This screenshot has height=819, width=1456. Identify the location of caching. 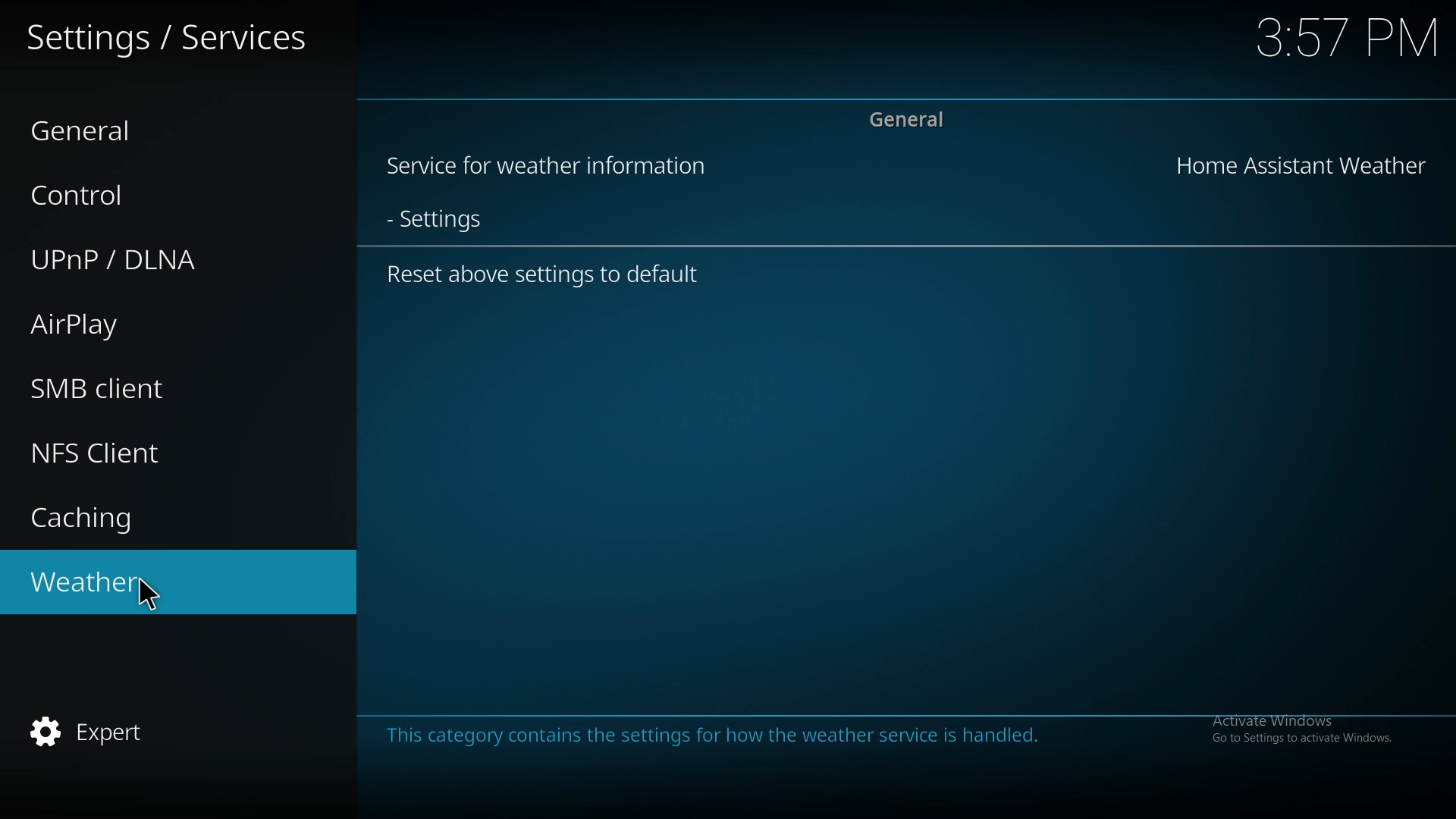
(156, 514).